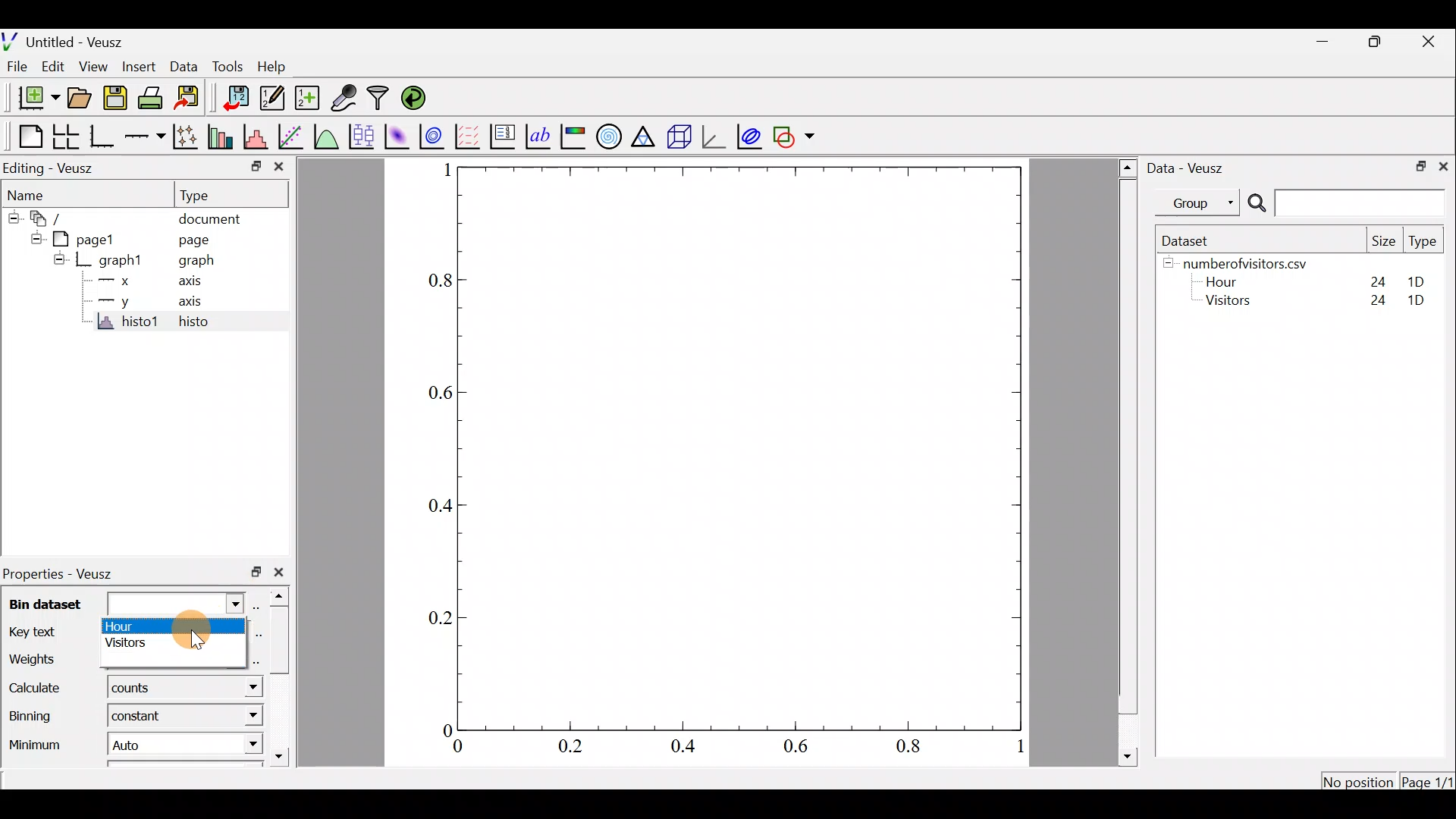 The height and width of the screenshot is (819, 1456). What do you see at coordinates (55, 67) in the screenshot?
I see `Edit` at bounding box center [55, 67].